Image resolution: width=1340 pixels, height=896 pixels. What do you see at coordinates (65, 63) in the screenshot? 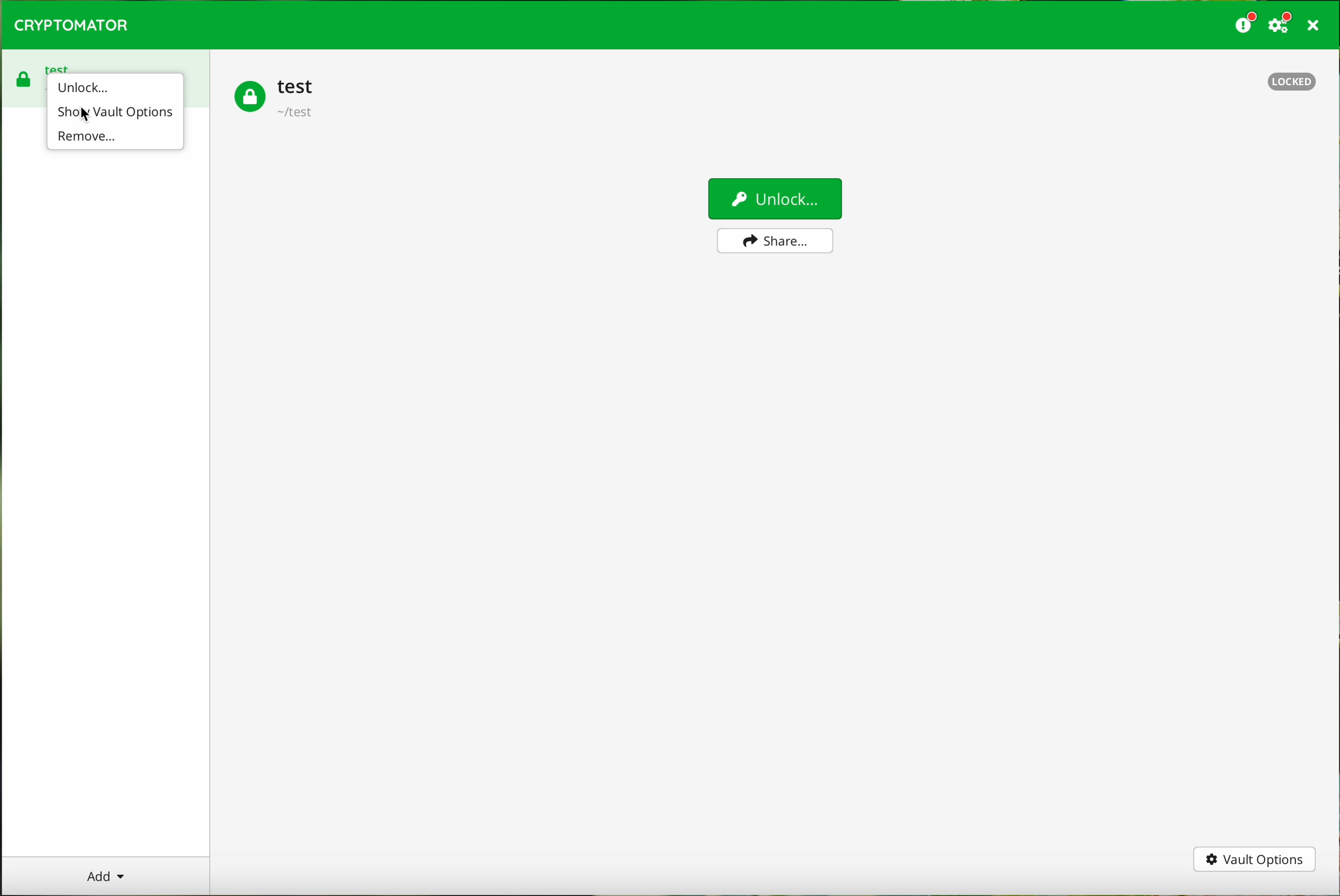
I see `test` at bounding box center [65, 63].